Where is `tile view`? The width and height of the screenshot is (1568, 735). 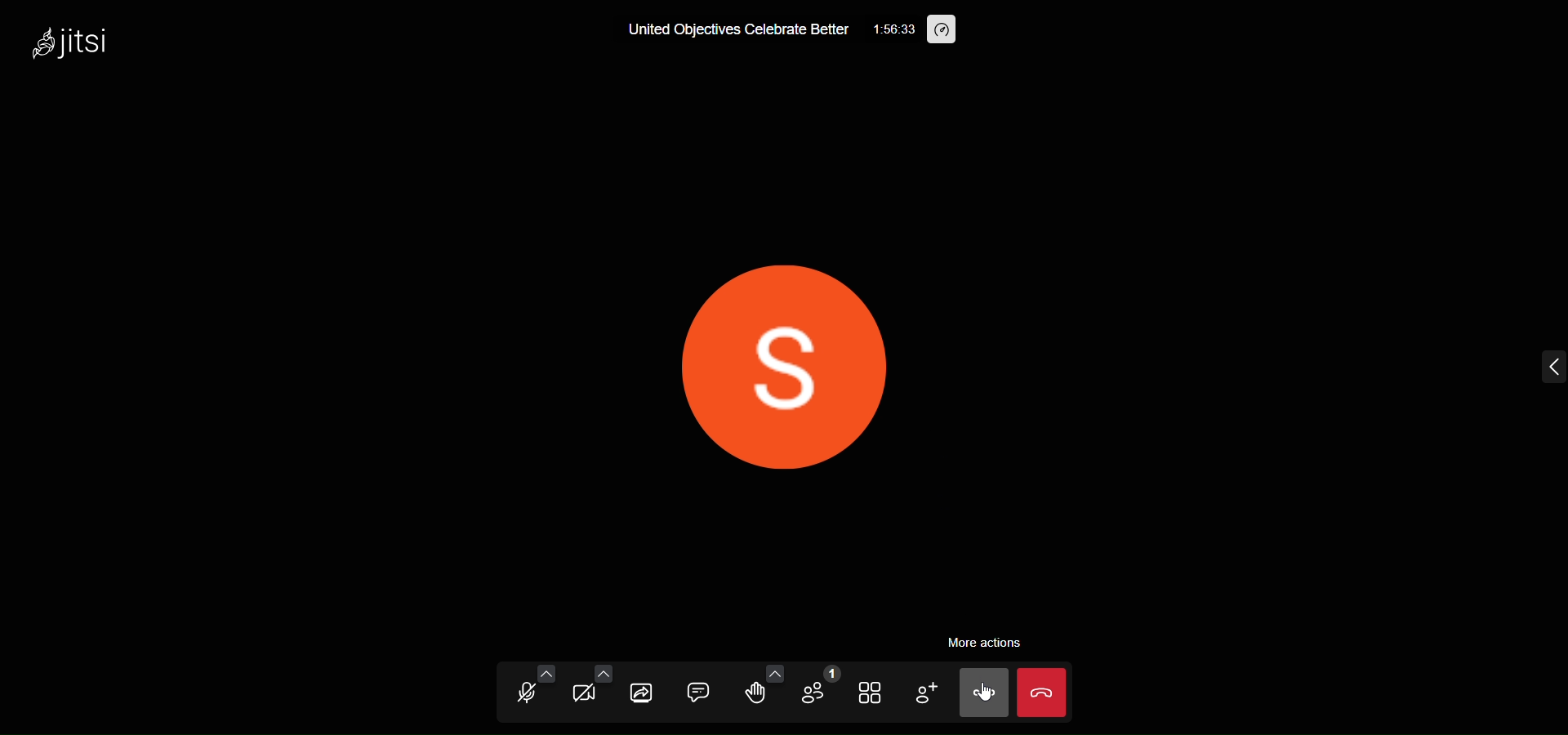 tile view is located at coordinates (871, 693).